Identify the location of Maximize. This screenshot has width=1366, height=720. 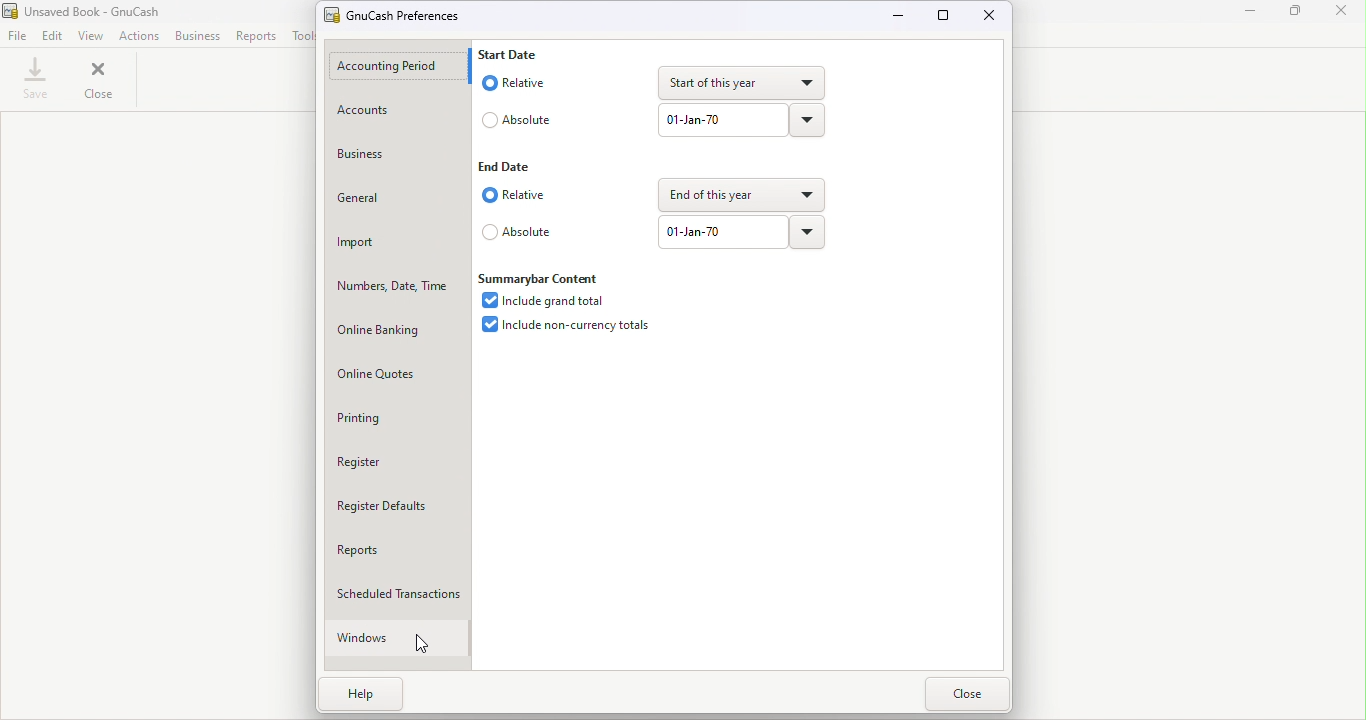
(946, 16).